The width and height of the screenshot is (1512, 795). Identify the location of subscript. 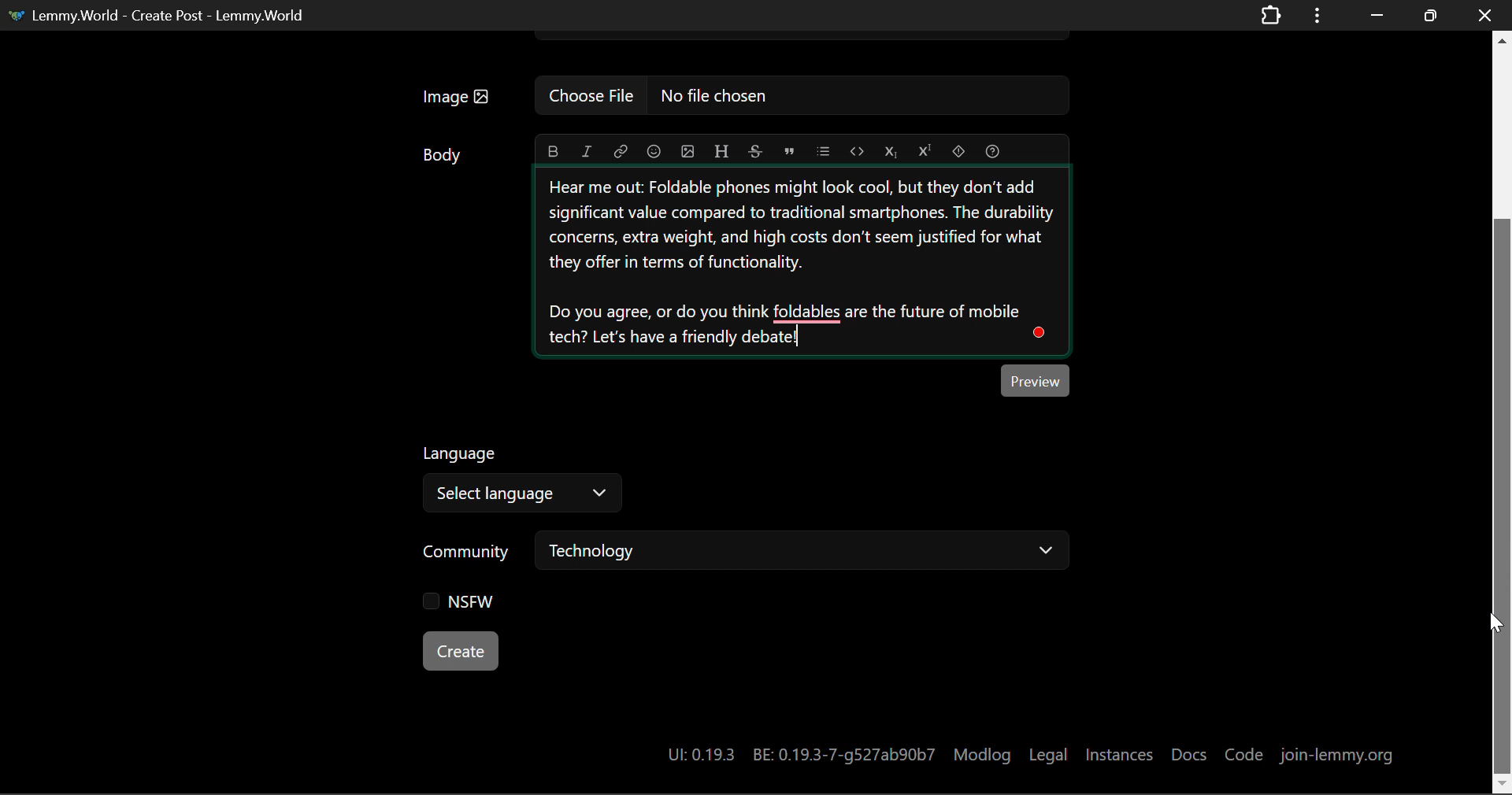
(890, 152).